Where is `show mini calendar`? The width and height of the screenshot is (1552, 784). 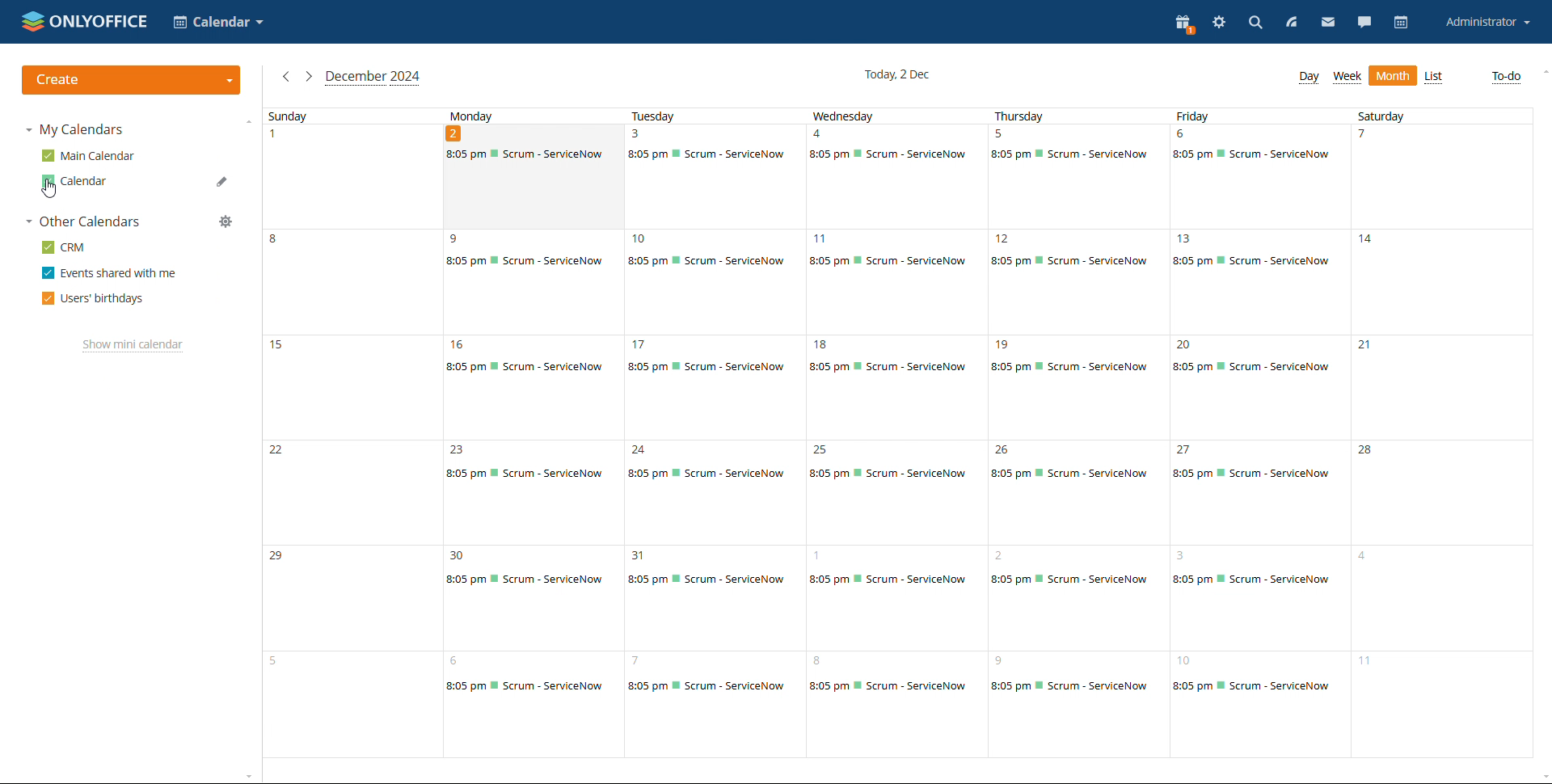
show mini calendar is located at coordinates (133, 346).